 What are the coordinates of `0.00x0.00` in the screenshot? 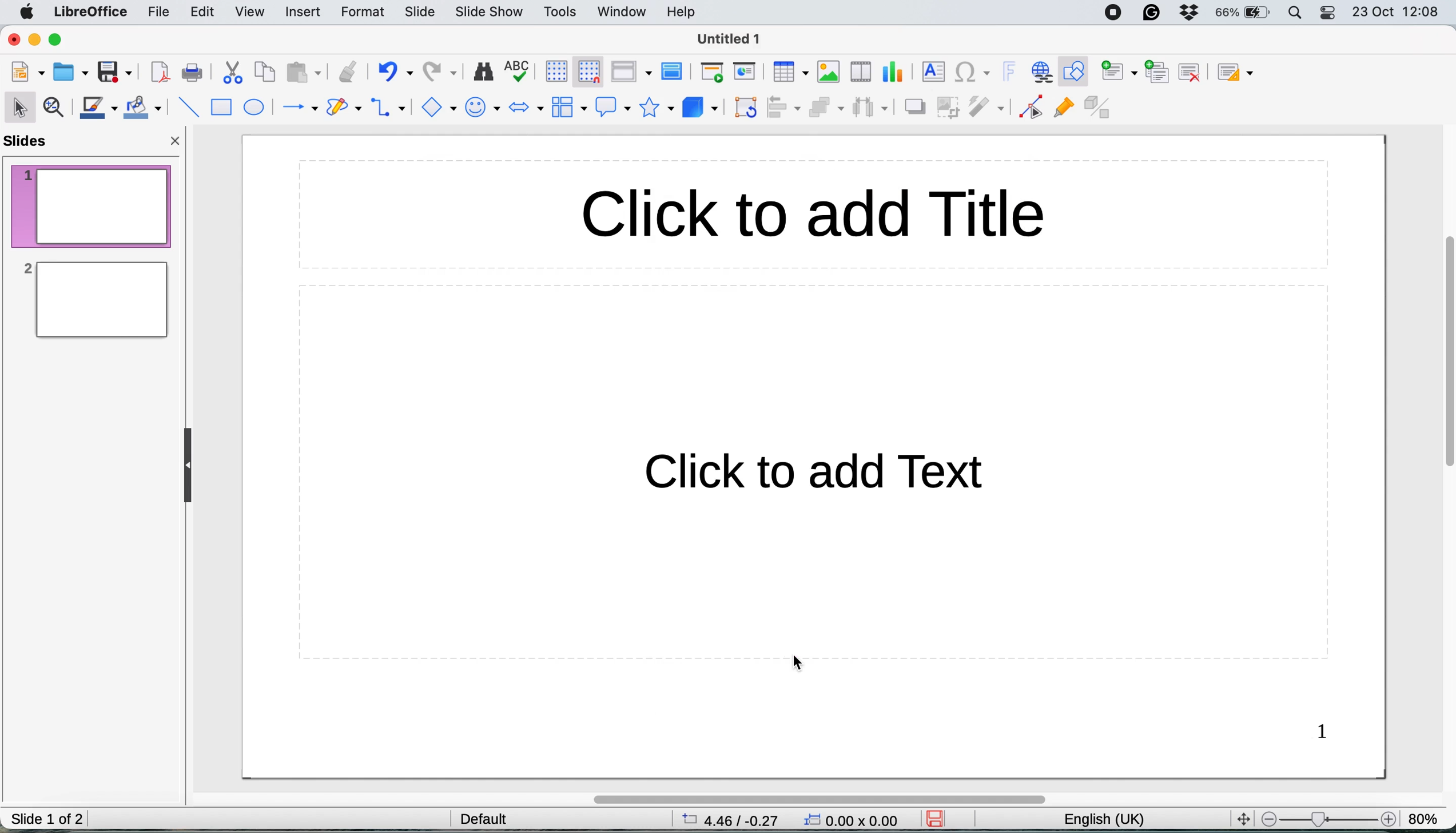 It's located at (853, 822).